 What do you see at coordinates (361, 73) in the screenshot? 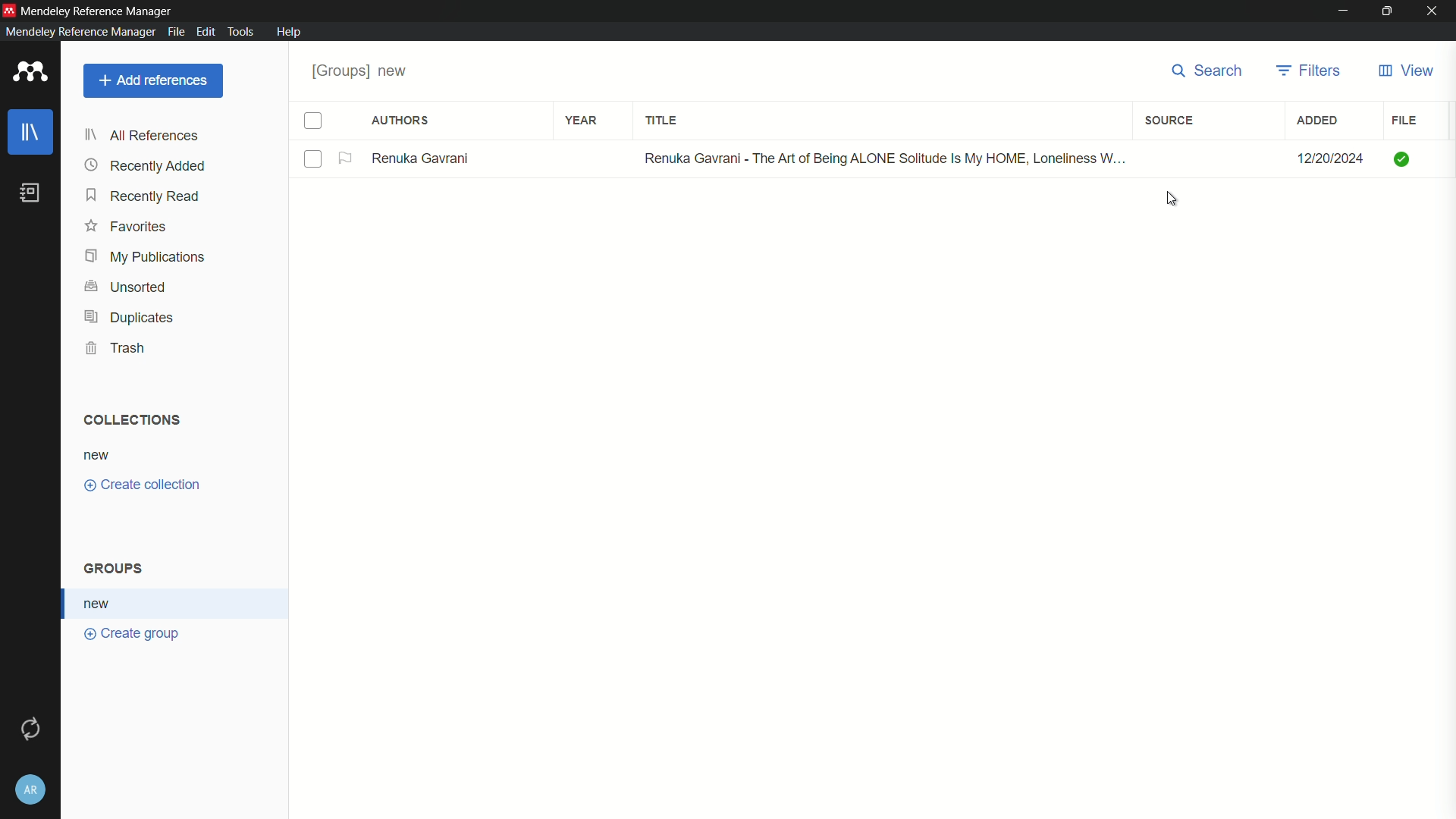
I see `groups` at bounding box center [361, 73].